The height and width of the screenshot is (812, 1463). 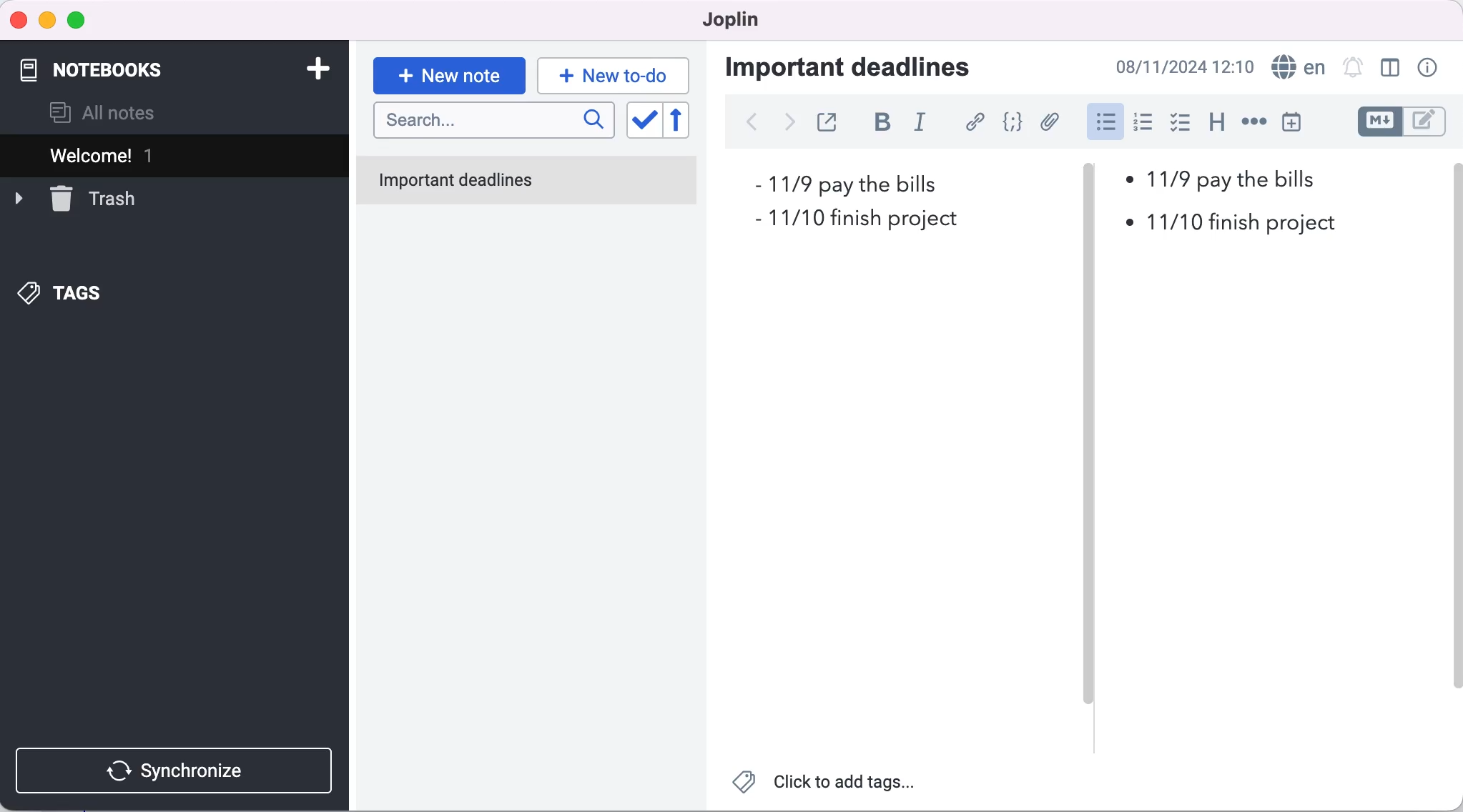 I want to click on deadline 2, so click(x=1236, y=224).